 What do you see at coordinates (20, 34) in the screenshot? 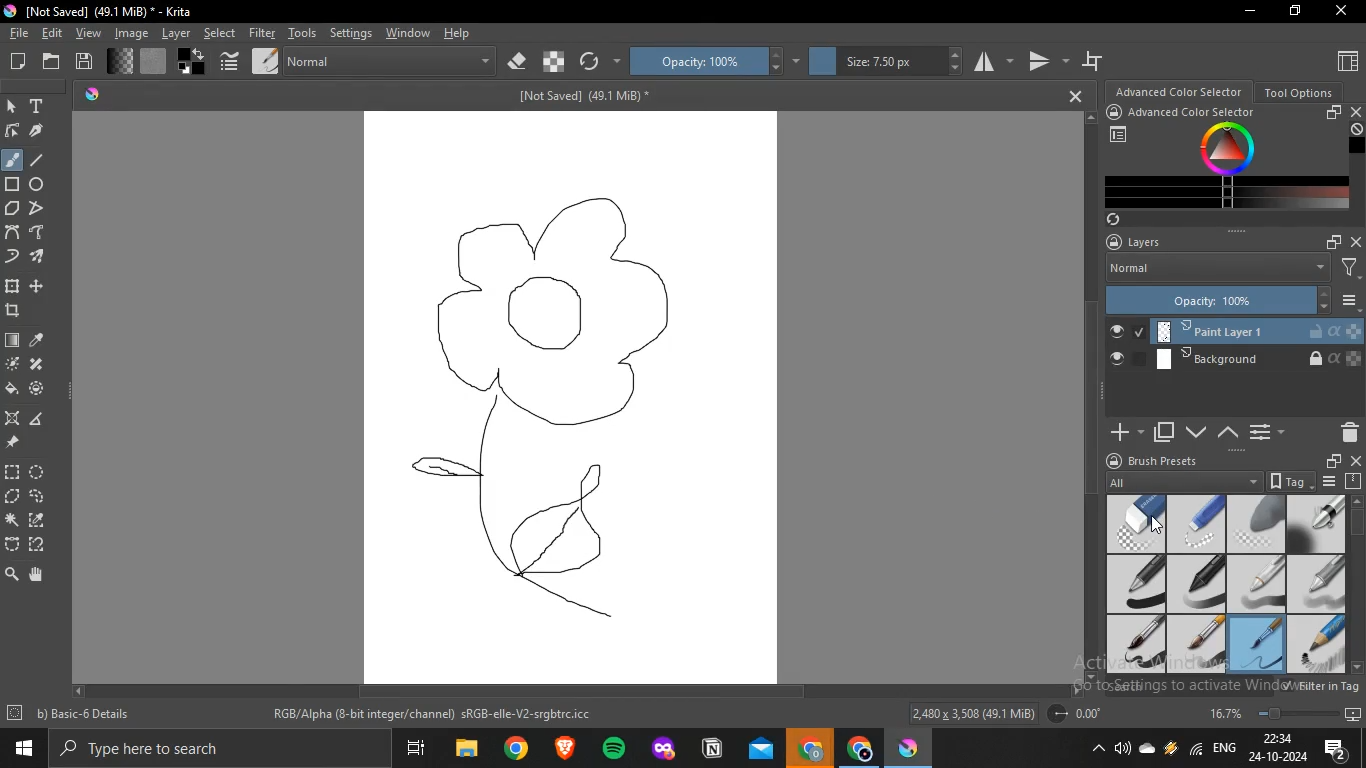
I see `file` at bounding box center [20, 34].